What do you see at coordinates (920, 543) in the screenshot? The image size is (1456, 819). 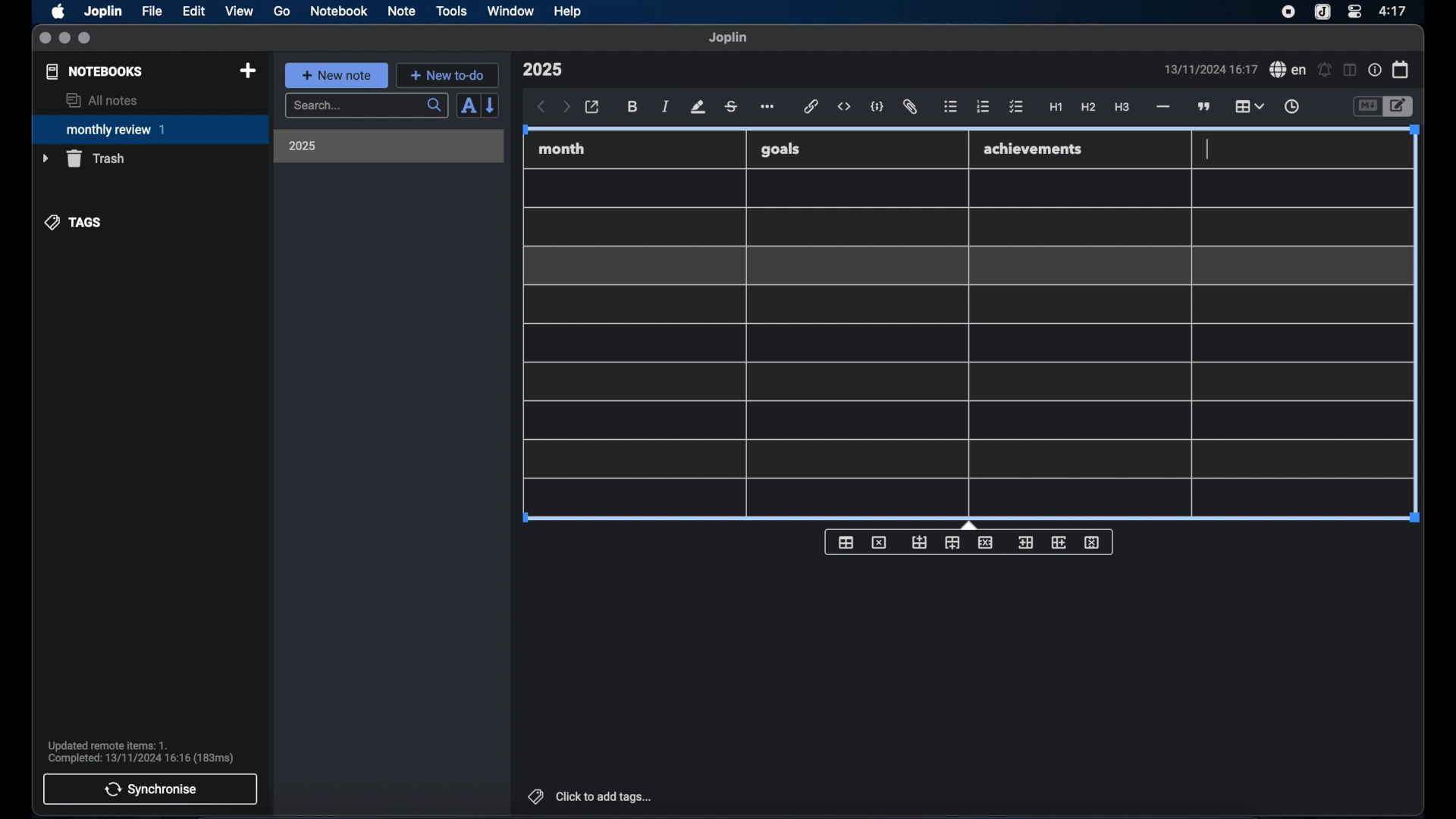 I see `insert row before` at bounding box center [920, 543].